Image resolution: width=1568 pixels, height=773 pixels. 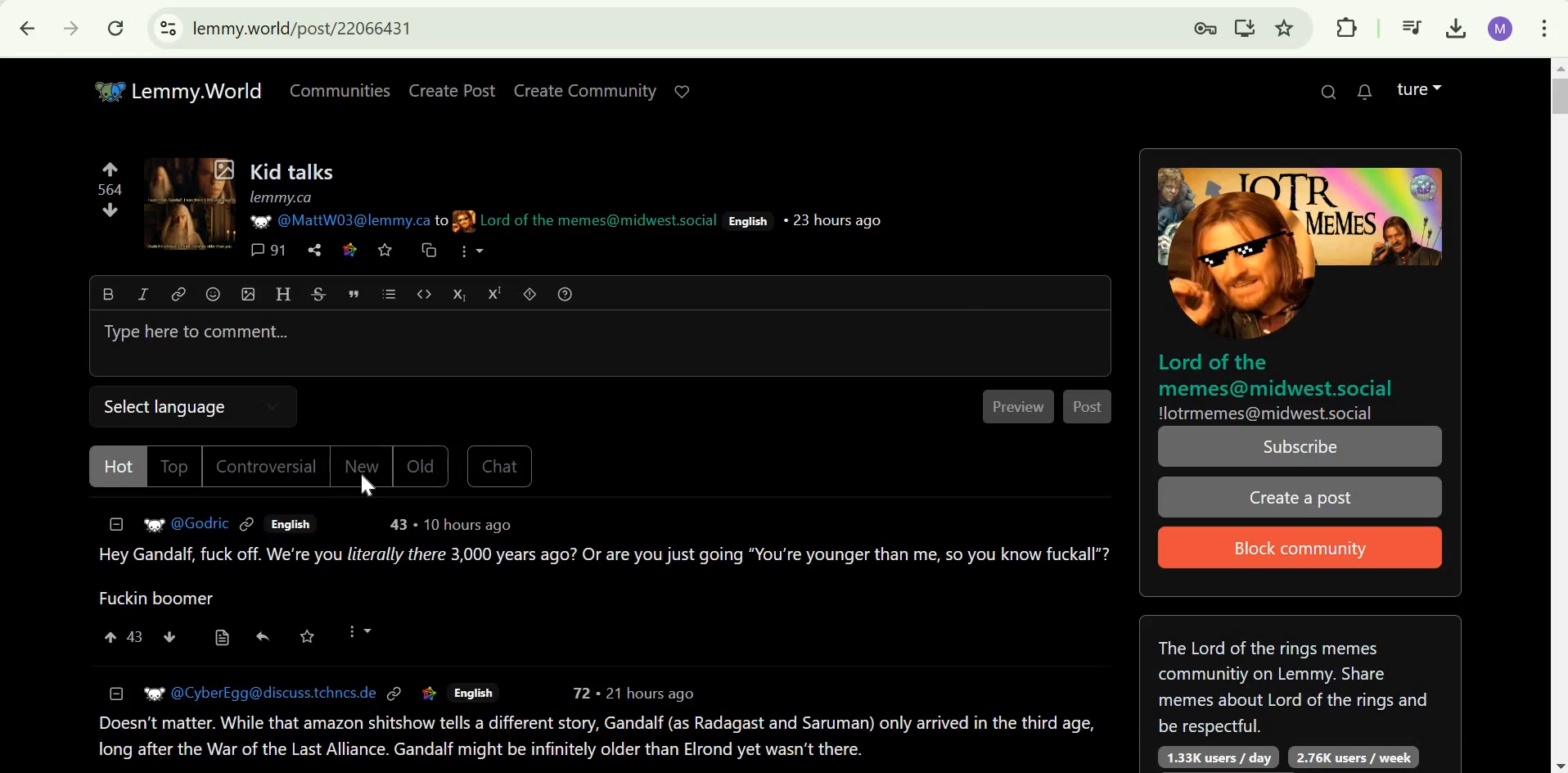 What do you see at coordinates (137, 636) in the screenshot?
I see `43 points` at bounding box center [137, 636].